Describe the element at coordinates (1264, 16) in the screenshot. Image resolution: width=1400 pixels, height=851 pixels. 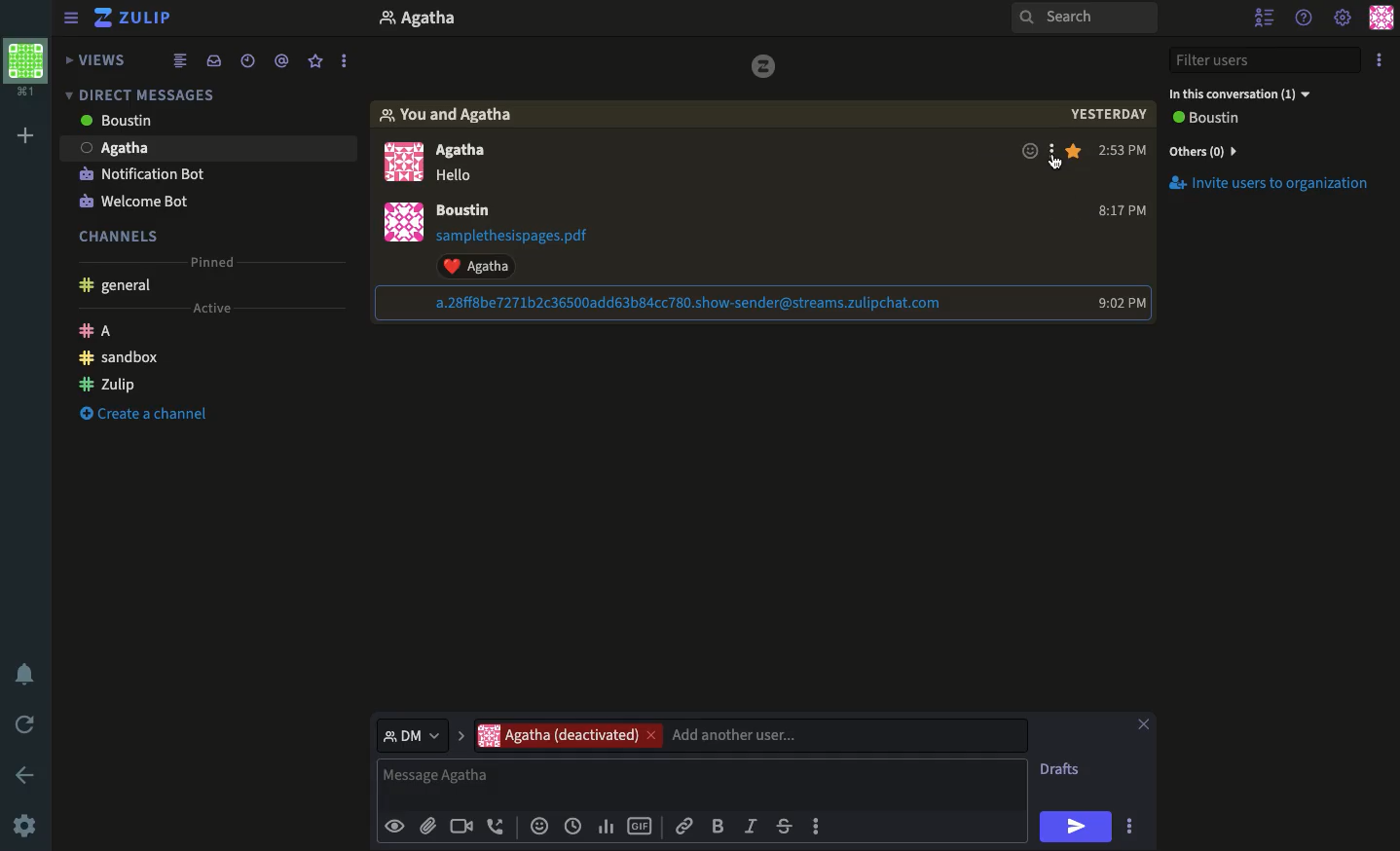
I see `Hide users list` at that location.